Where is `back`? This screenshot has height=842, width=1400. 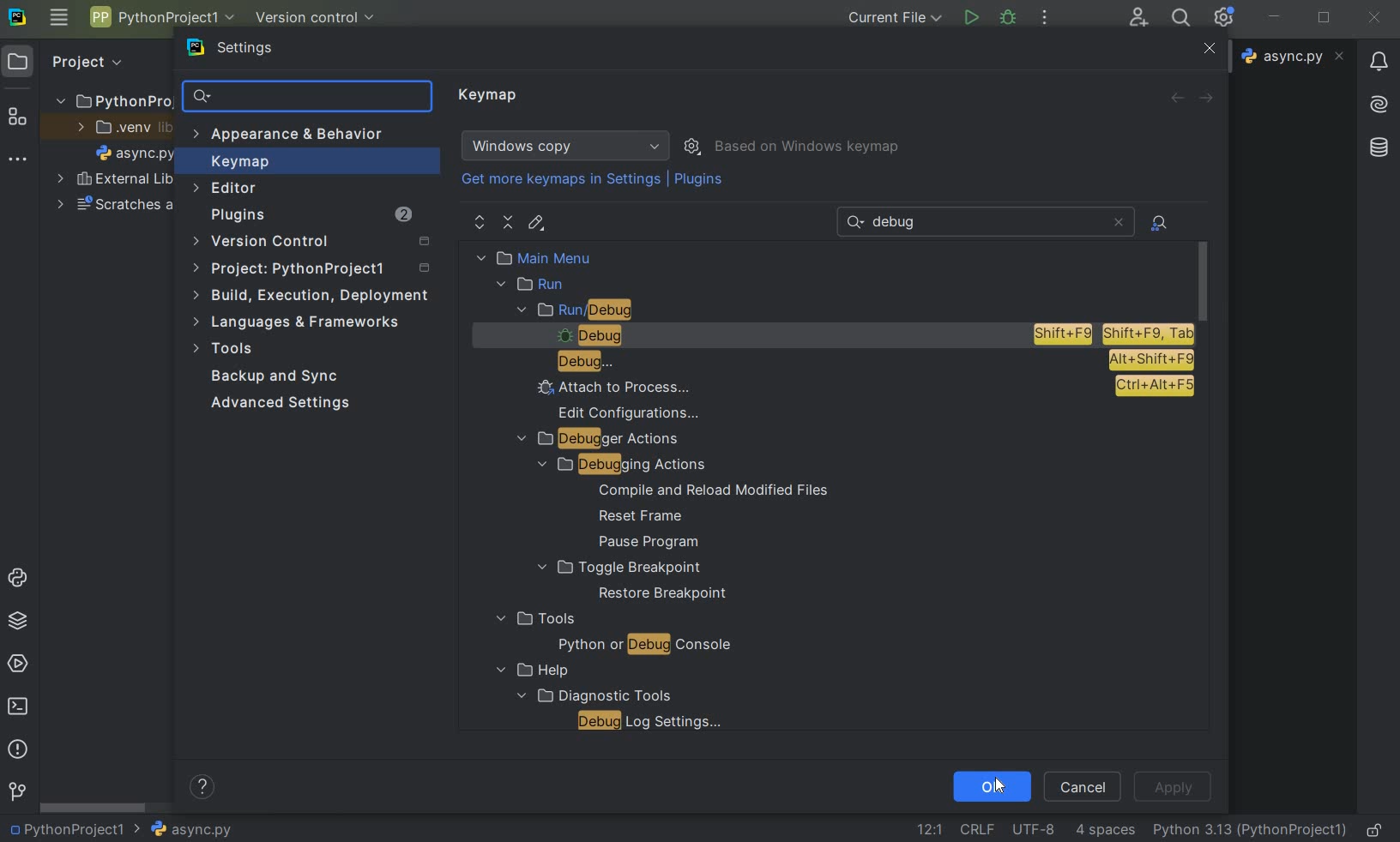 back is located at coordinates (1176, 98).